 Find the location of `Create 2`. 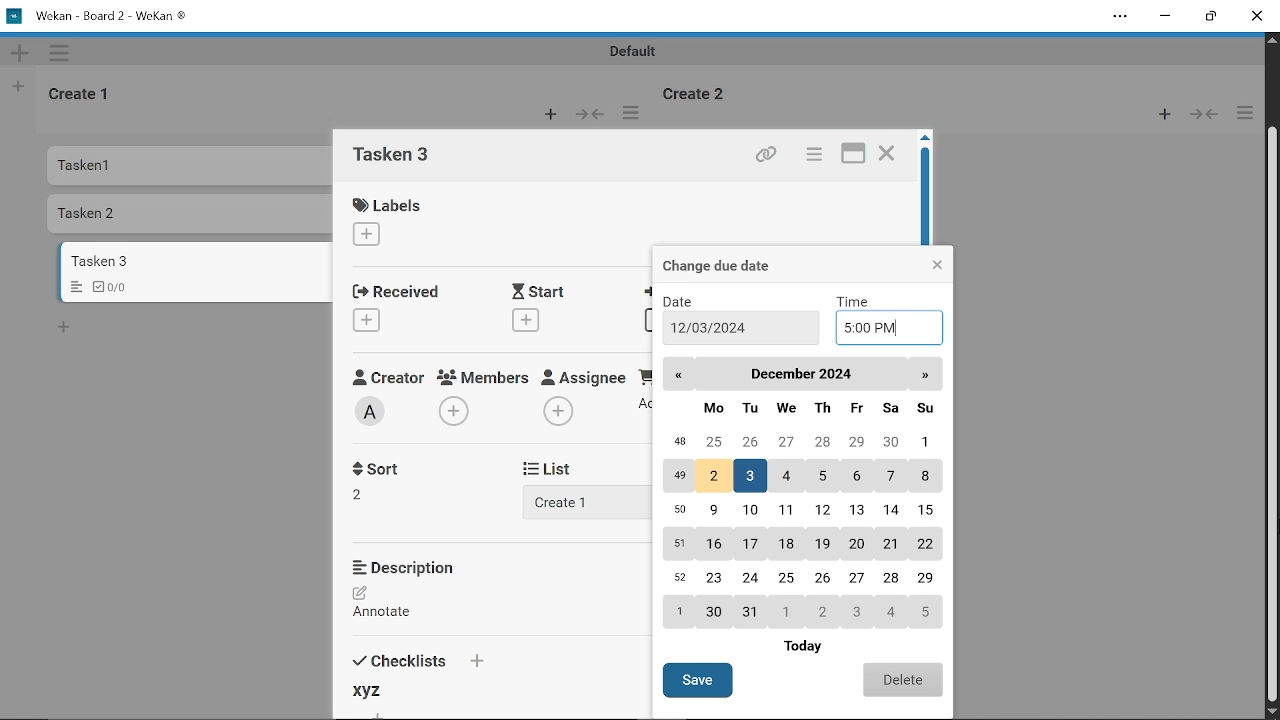

Create 2 is located at coordinates (700, 92).